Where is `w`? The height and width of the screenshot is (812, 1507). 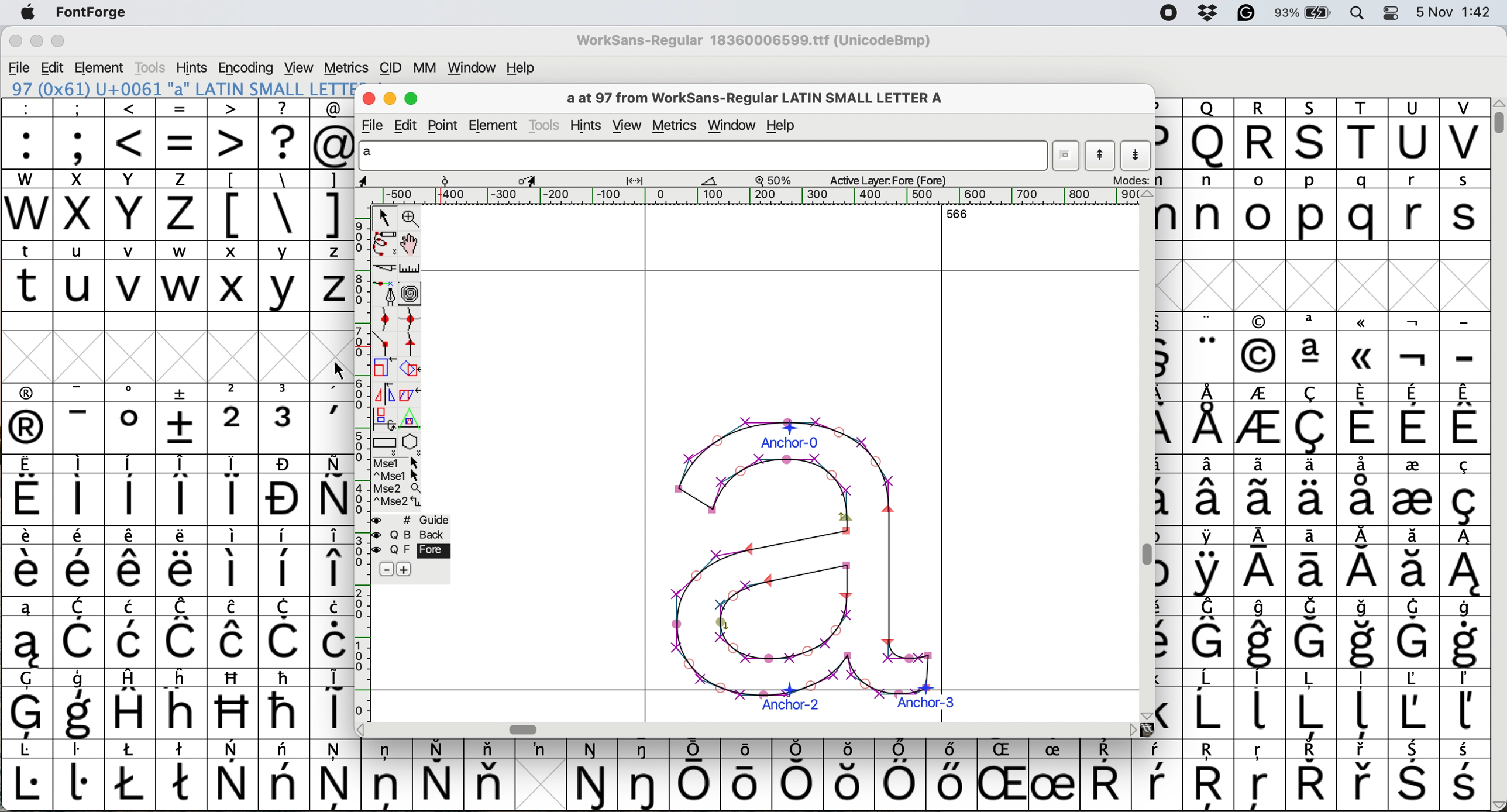 w is located at coordinates (181, 277).